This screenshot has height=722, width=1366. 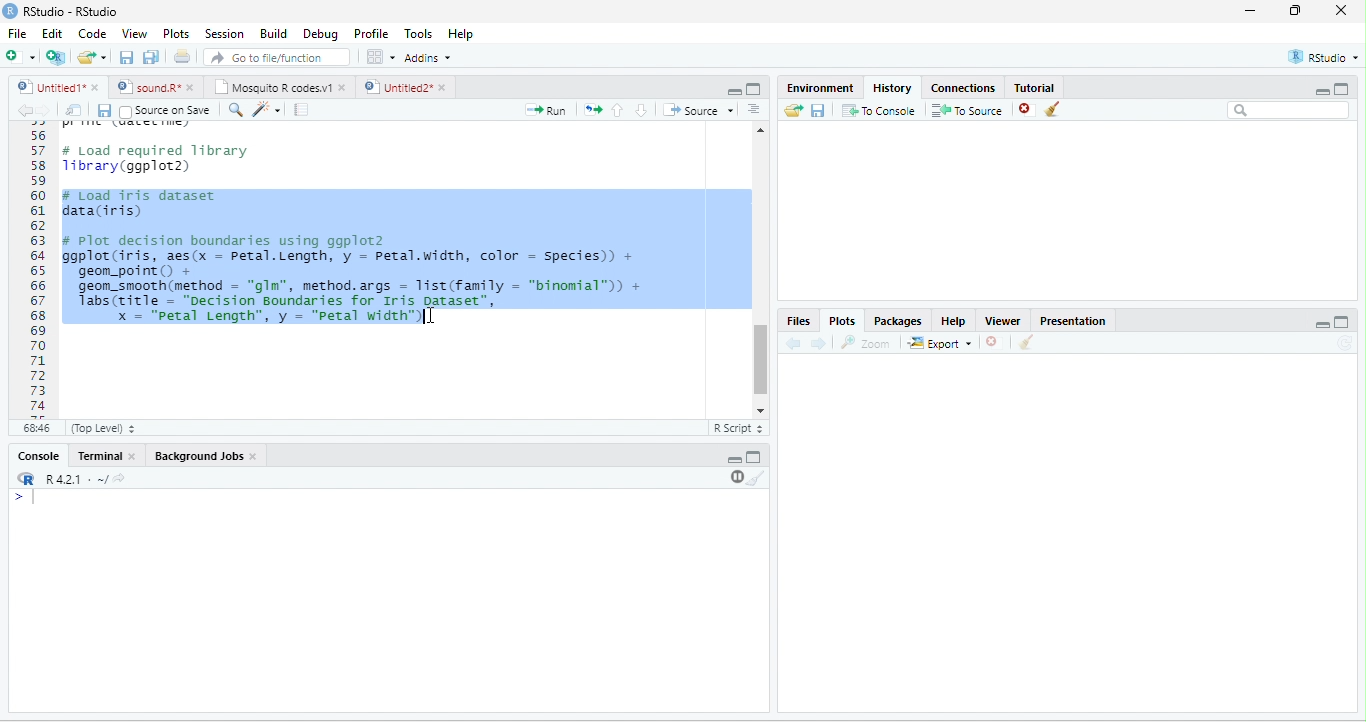 What do you see at coordinates (817, 111) in the screenshot?
I see `save` at bounding box center [817, 111].